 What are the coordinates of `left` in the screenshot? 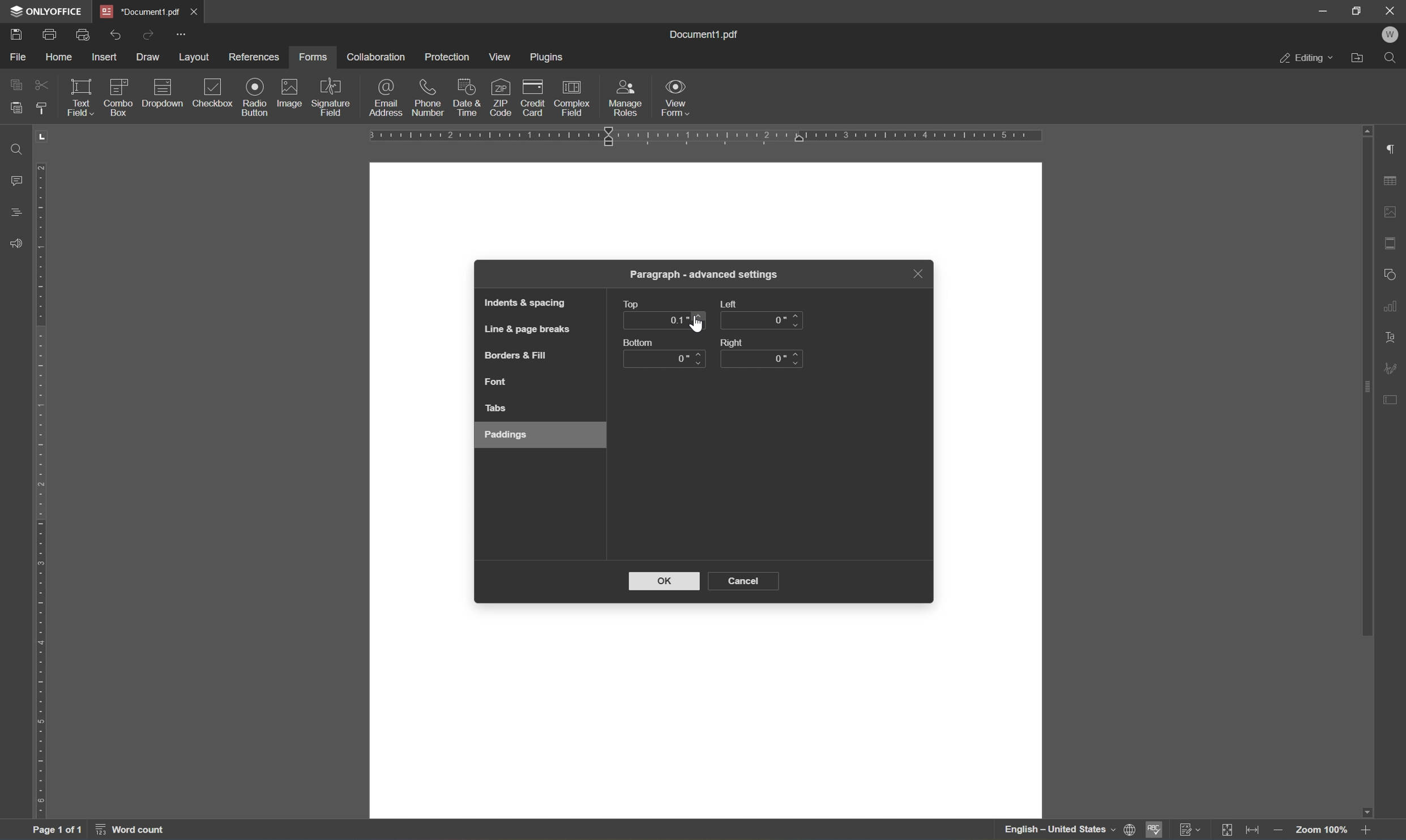 It's located at (731, 303).